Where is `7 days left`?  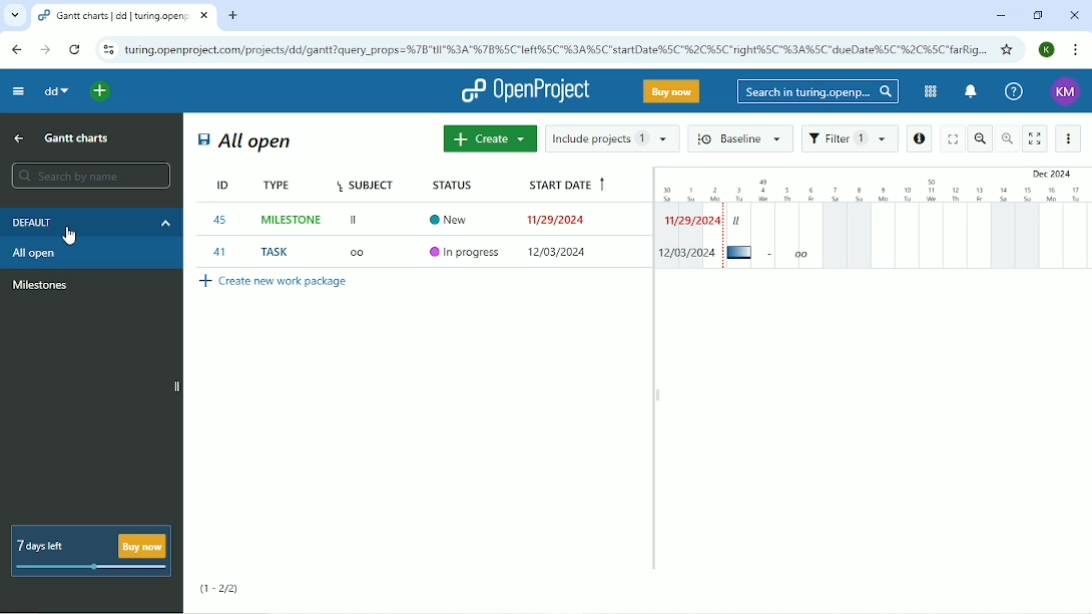 7 days left is located at coordinates (90, 552).